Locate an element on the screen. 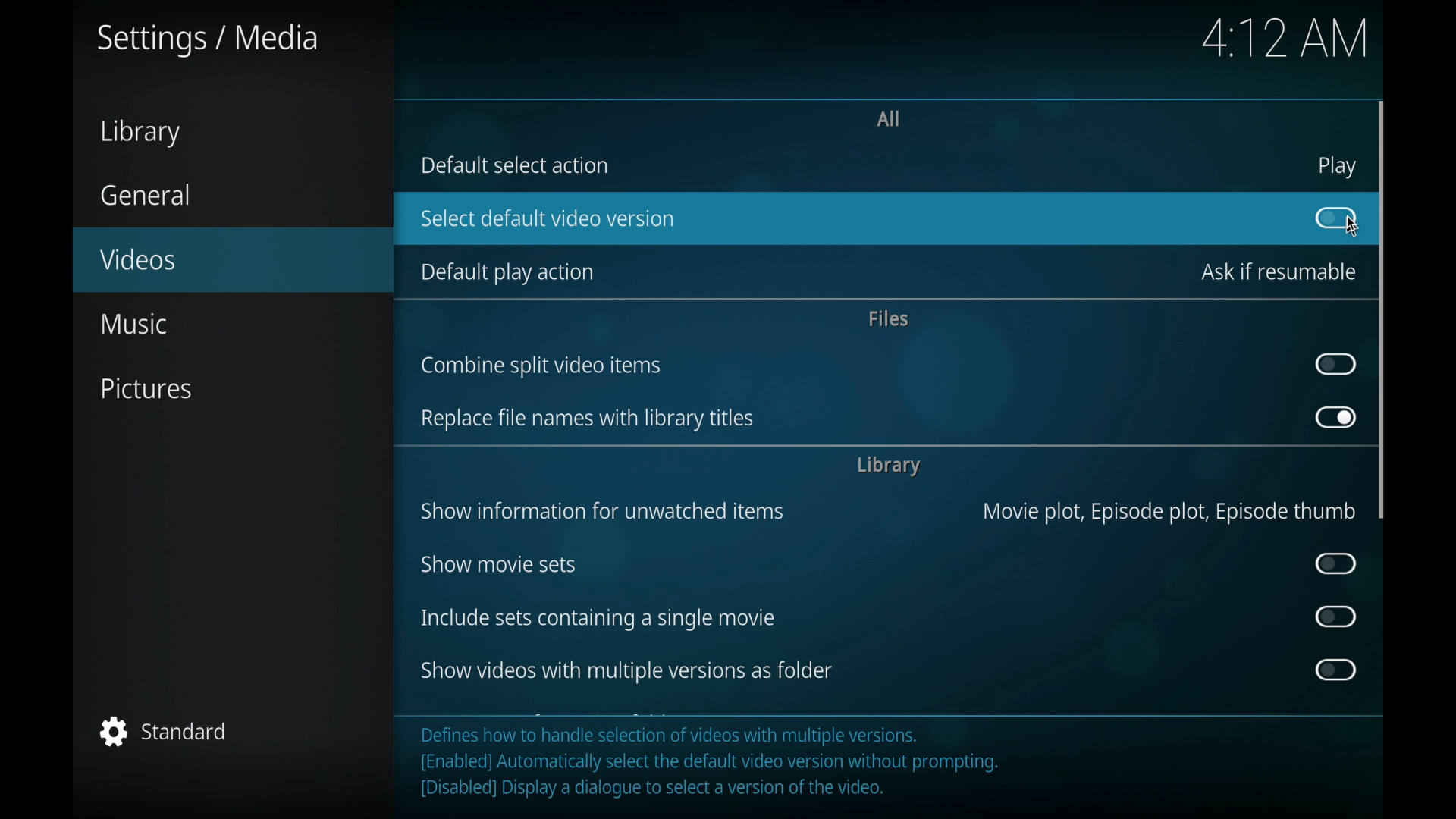 This screenshot has height=819, width=1456. ombine split video items is located at coordinates (541, 367).